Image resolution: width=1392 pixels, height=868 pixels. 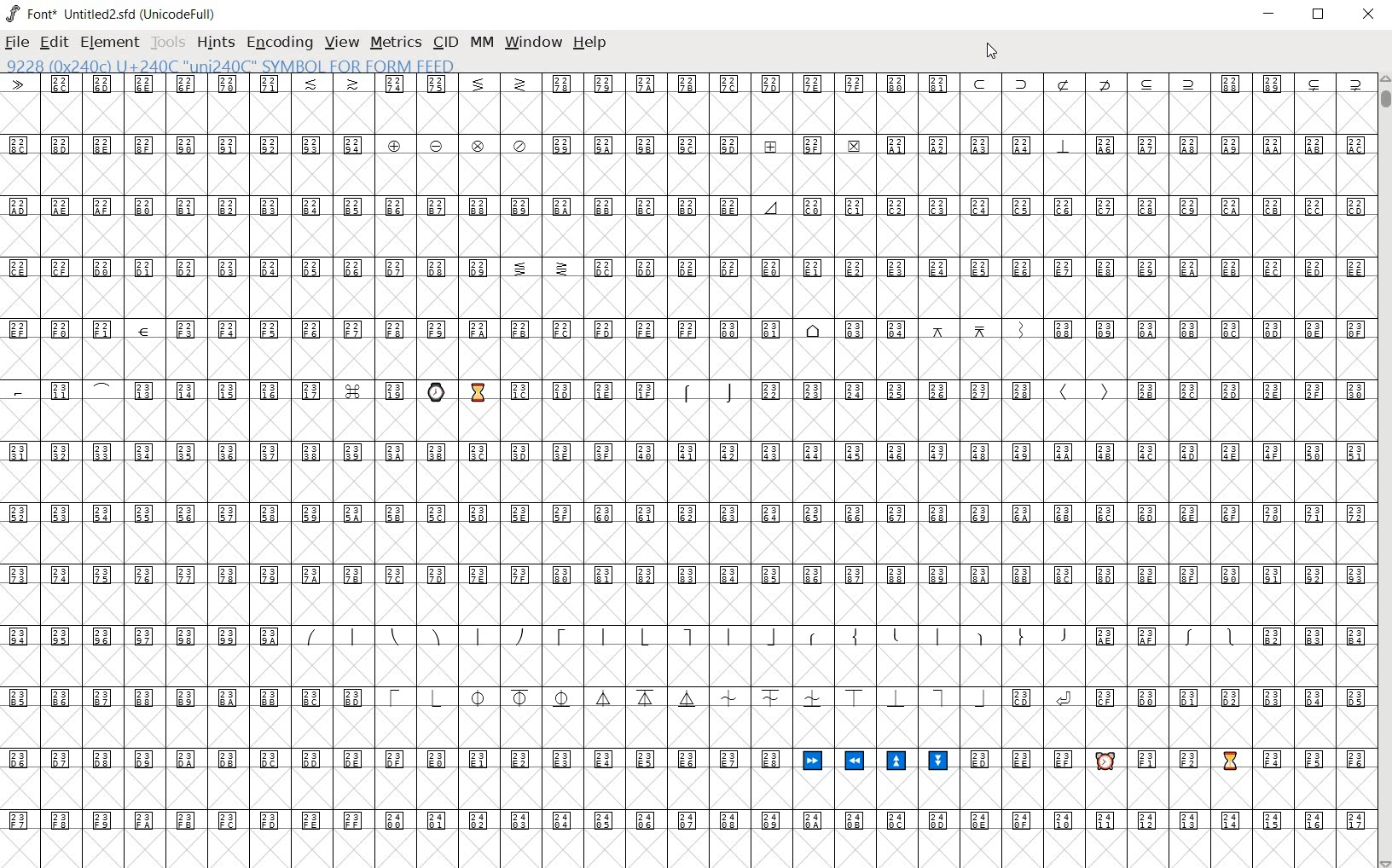 I want to click on cursor, so click(x=991, y=54).